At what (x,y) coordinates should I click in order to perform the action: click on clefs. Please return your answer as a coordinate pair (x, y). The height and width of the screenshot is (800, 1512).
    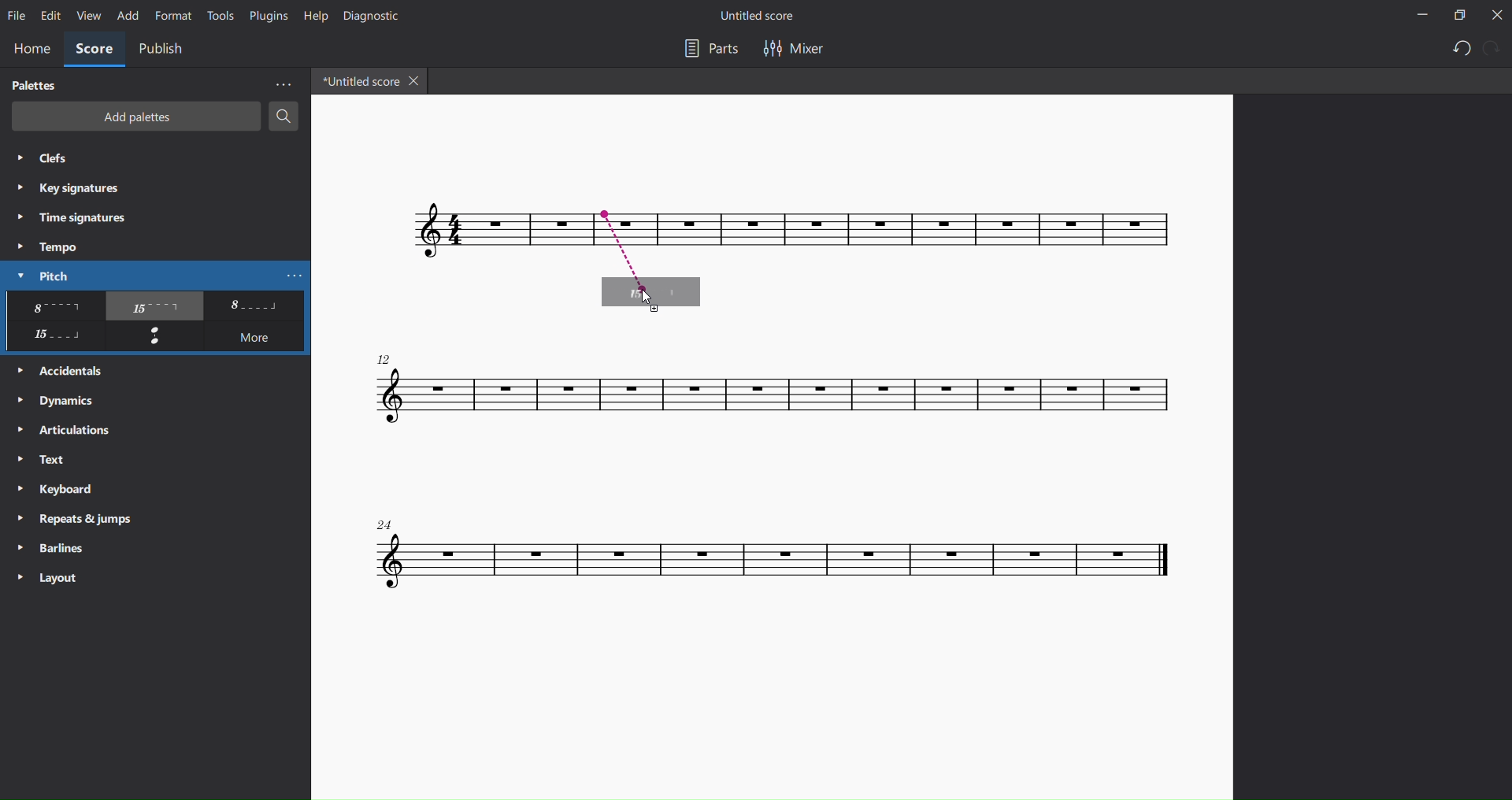
    Looking at the image, I should click on (47, 160).